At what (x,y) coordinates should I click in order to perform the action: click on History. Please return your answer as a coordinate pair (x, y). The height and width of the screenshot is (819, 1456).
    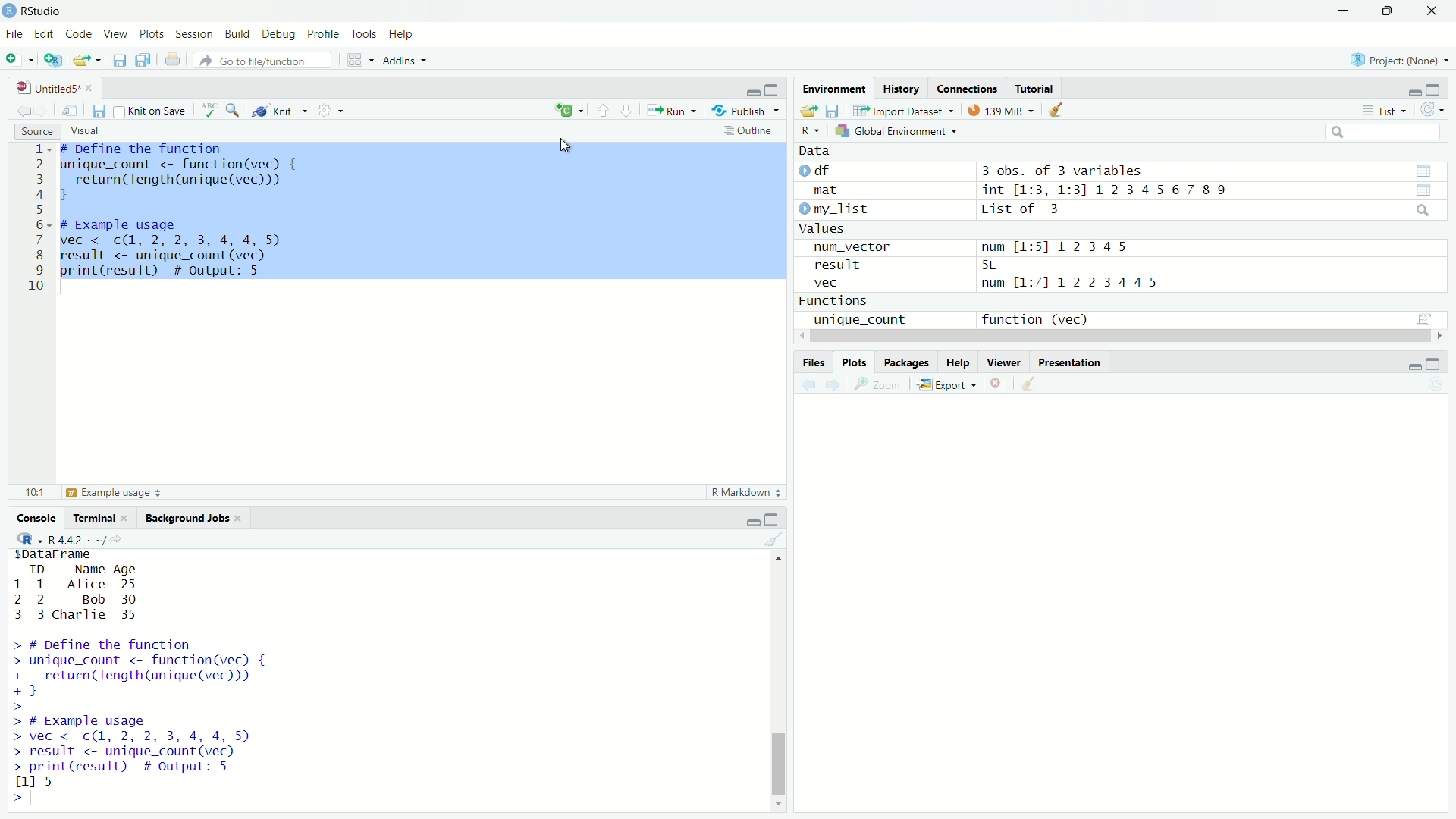
    Looking at the image, I should click on (902, 89).